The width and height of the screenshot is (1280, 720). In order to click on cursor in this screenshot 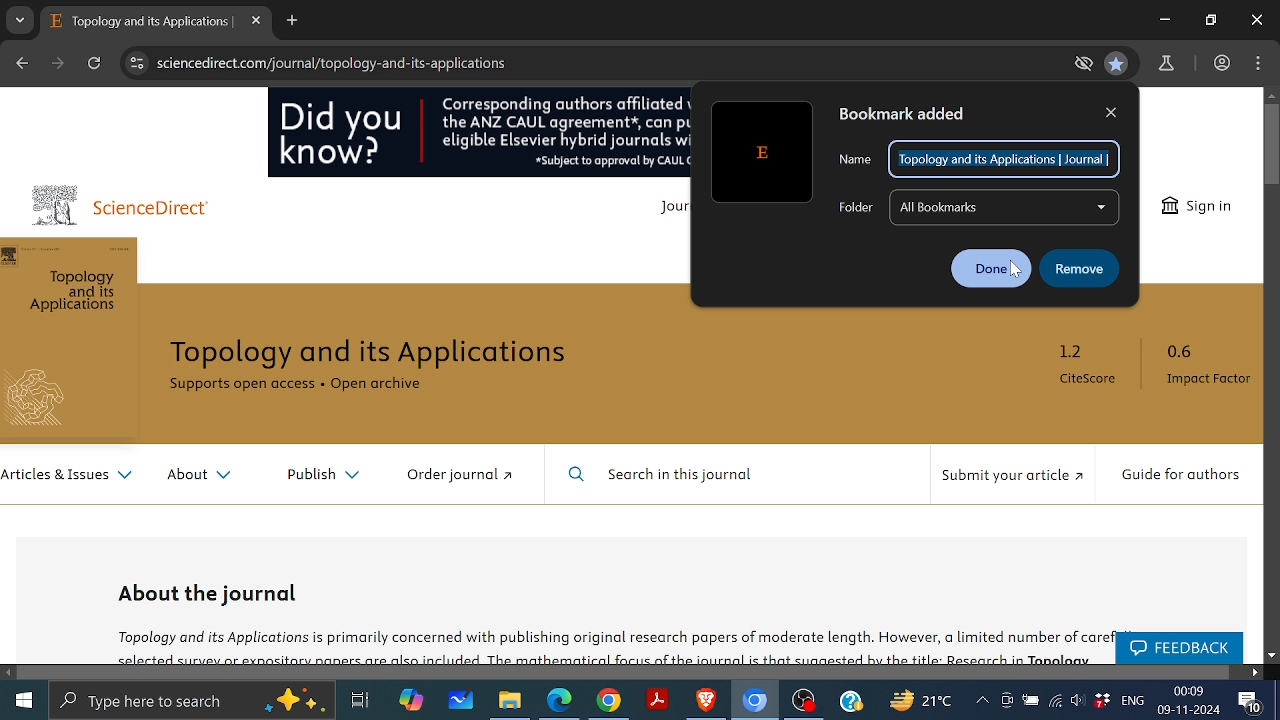, I will do `click(1014, 279)`.